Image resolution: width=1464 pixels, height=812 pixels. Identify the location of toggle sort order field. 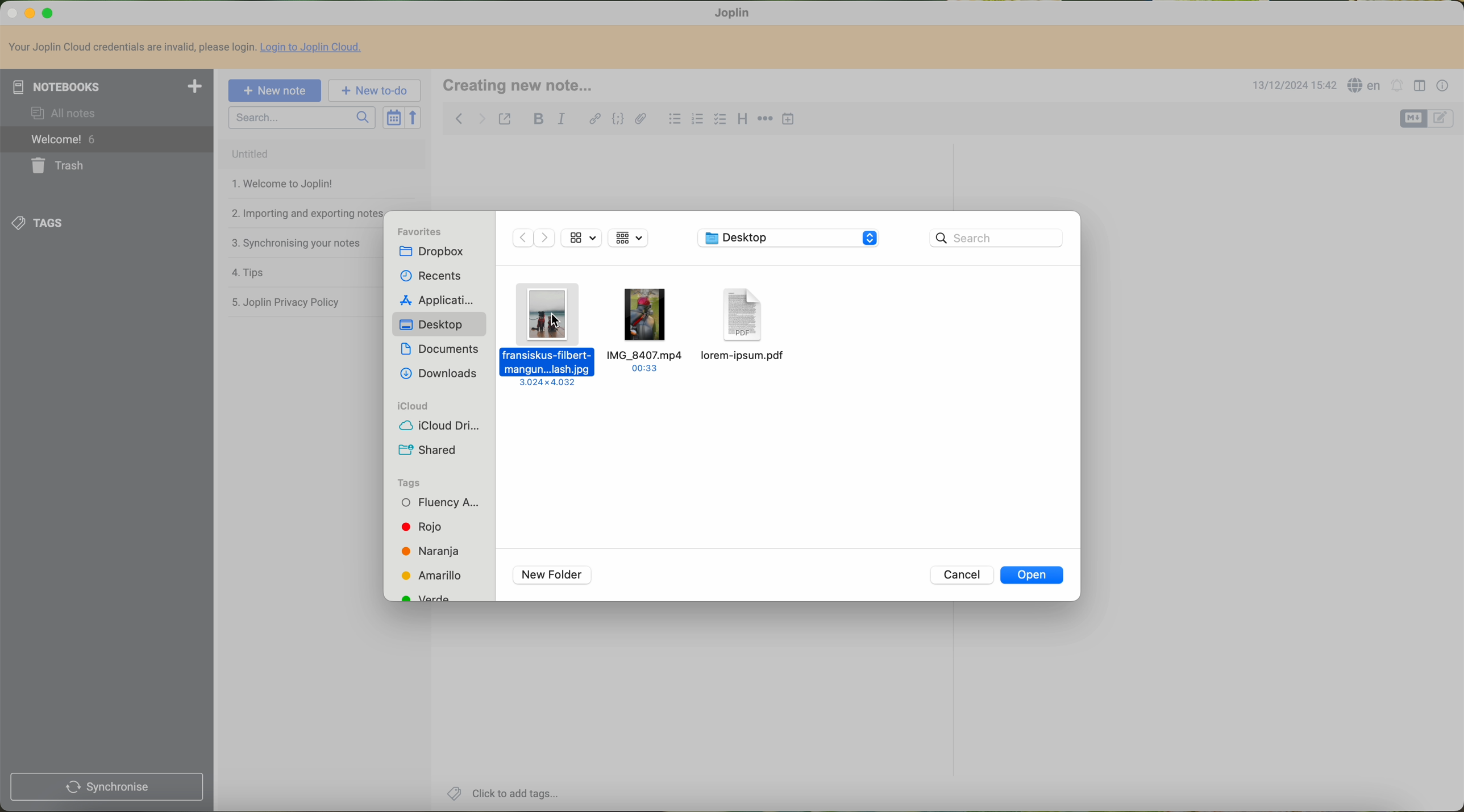
(392, 118).